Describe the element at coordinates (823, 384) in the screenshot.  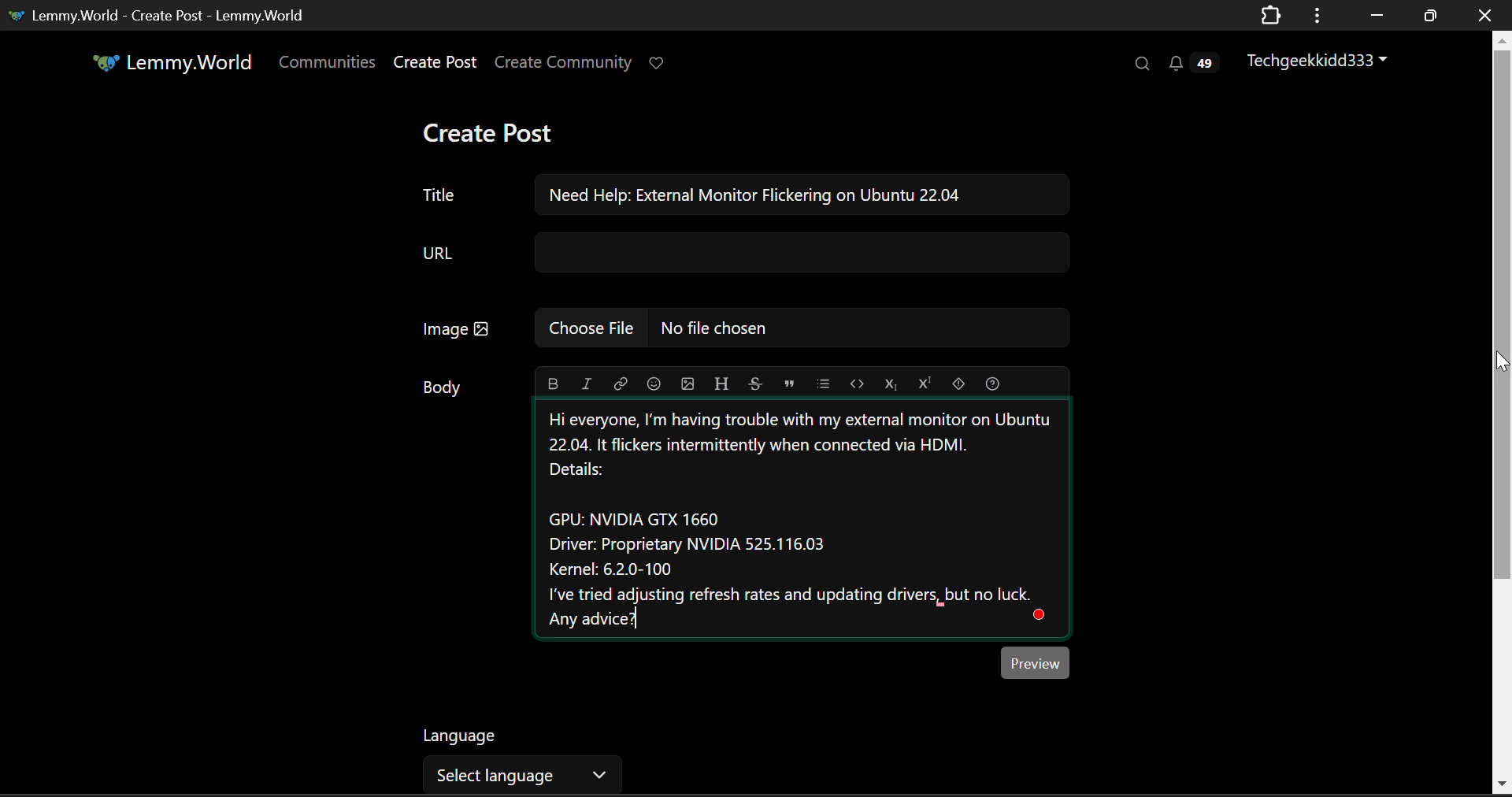
I see `List` at that location.